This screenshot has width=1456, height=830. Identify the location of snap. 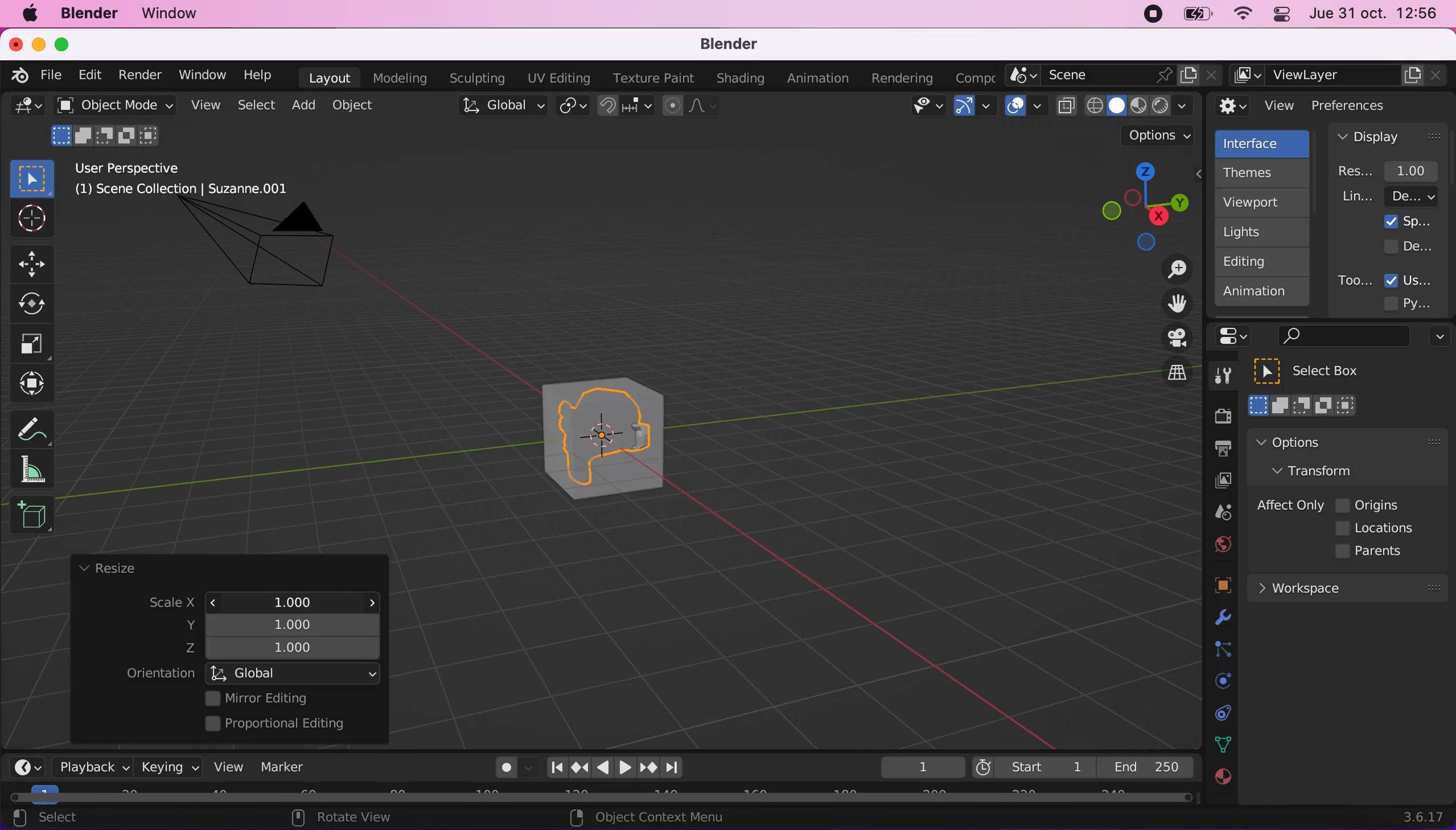
(627, 106).